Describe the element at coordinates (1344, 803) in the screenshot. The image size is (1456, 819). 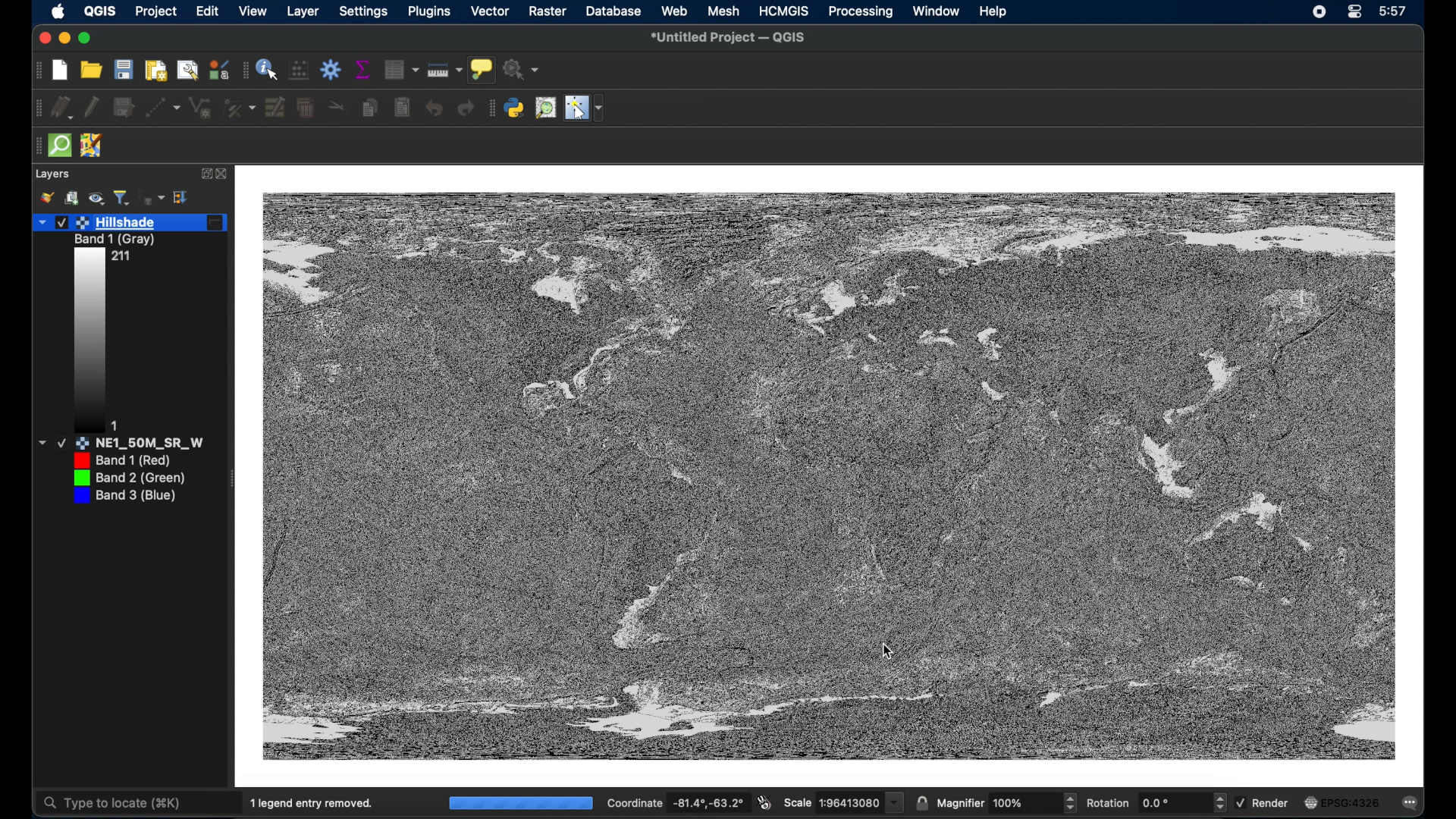
I see `current crs` at that location.